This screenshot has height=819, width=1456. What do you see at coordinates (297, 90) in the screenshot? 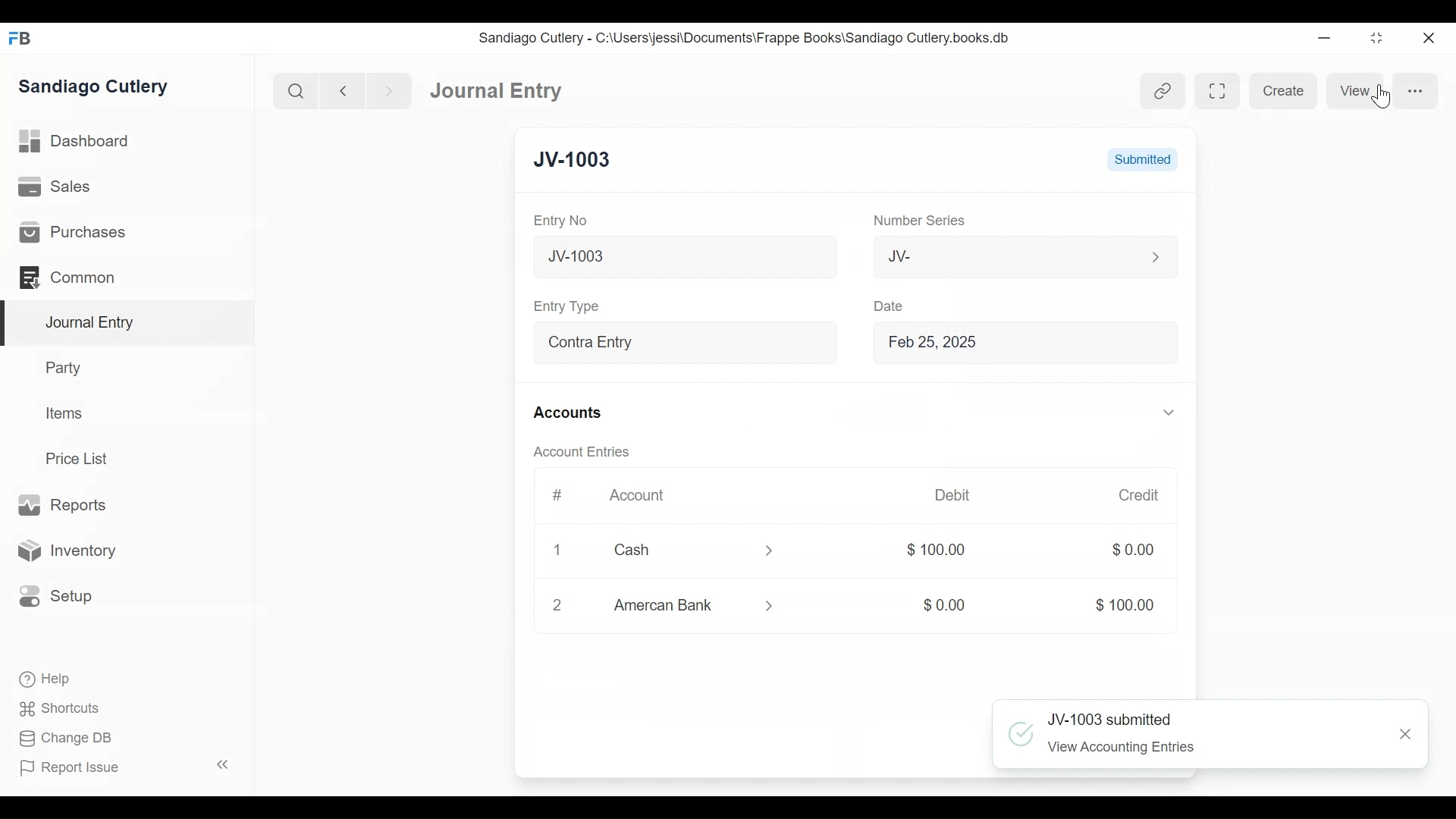
I see `Search` at bounding box center [297, 90].